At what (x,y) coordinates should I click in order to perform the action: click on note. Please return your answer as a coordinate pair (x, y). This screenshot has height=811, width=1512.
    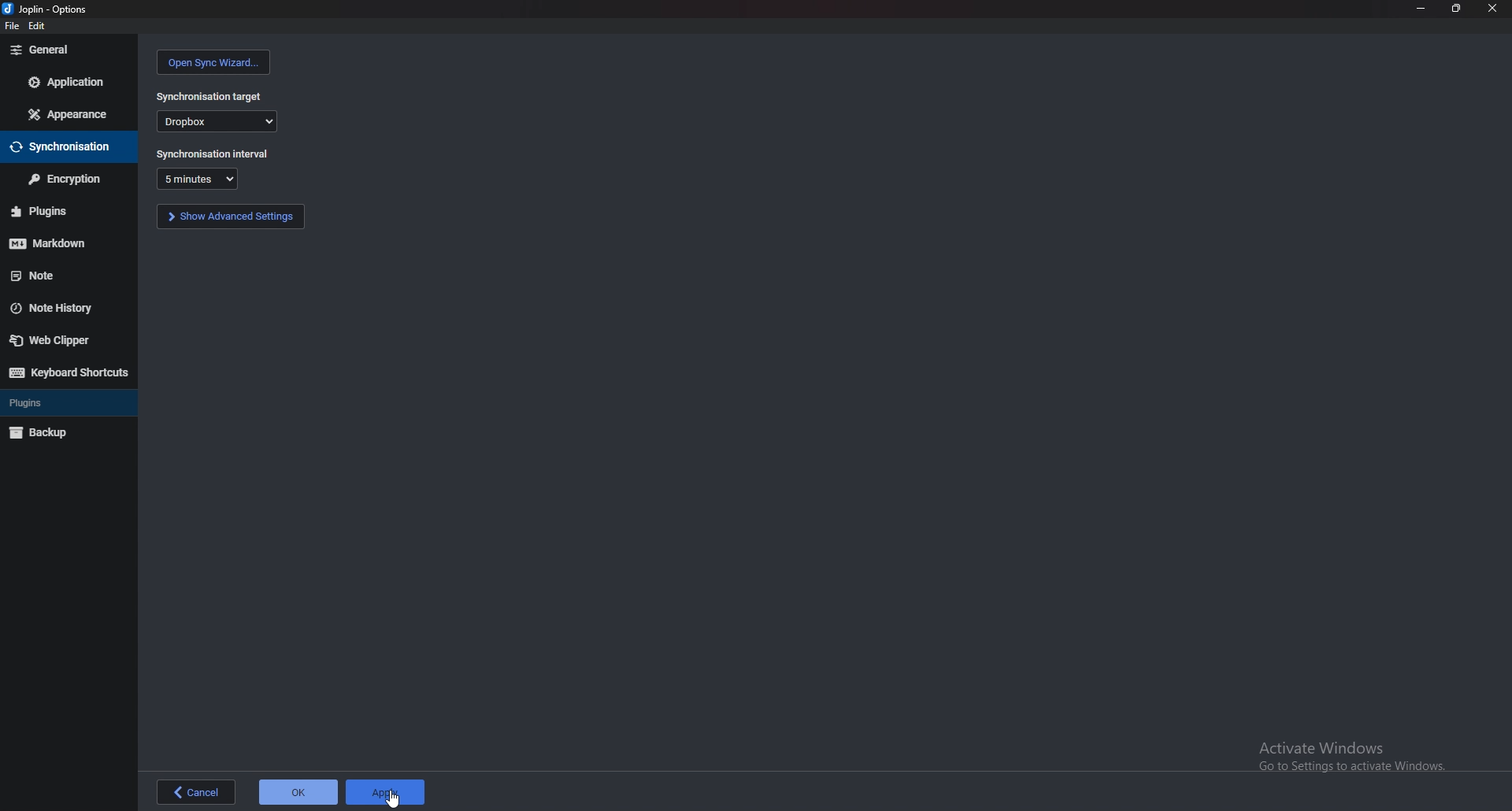
    Looking at the image, I should click on (65, 273).